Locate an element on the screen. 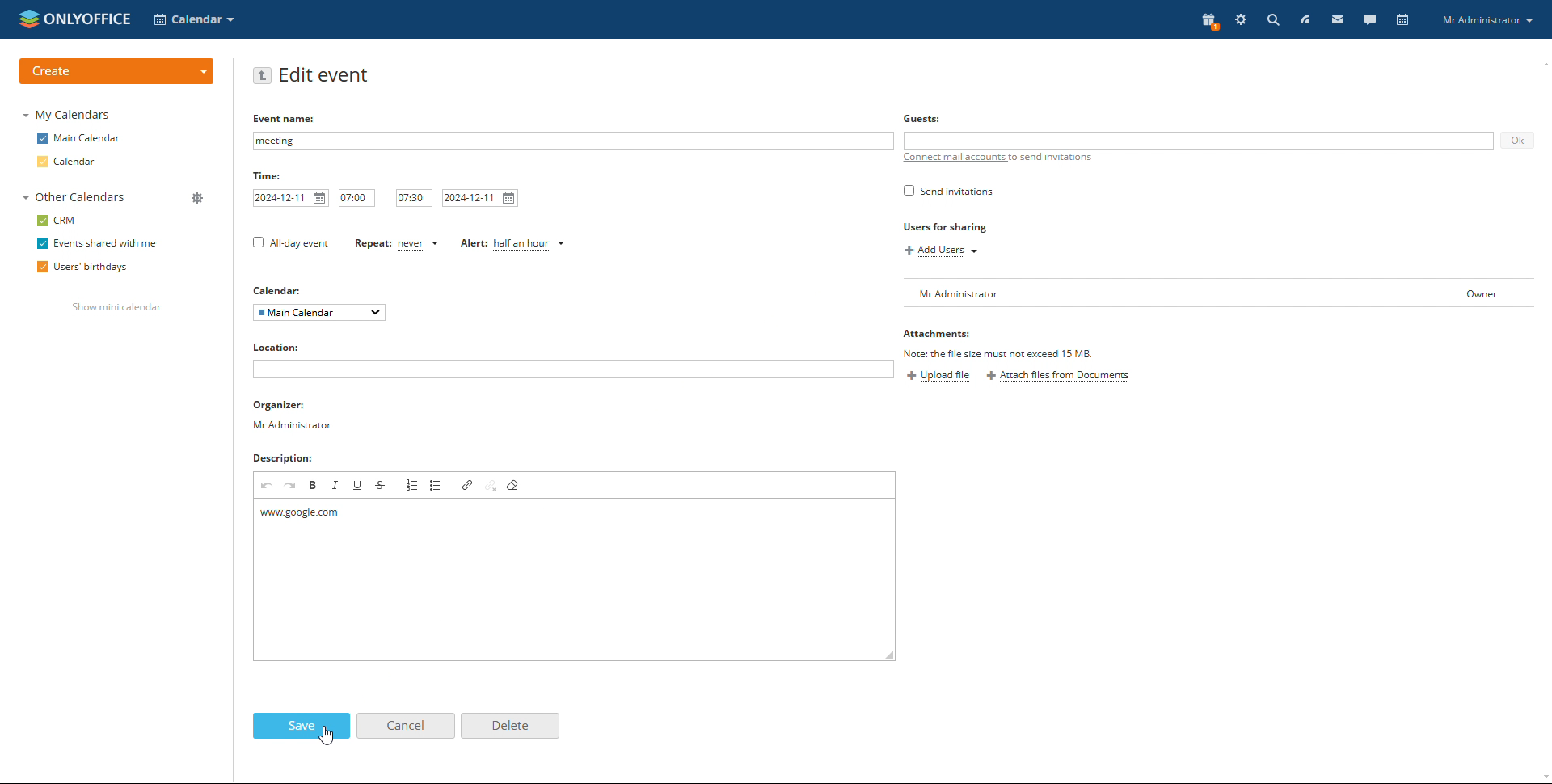 The image size is (1552, 784). profile is located at coordinates (1484, 19).